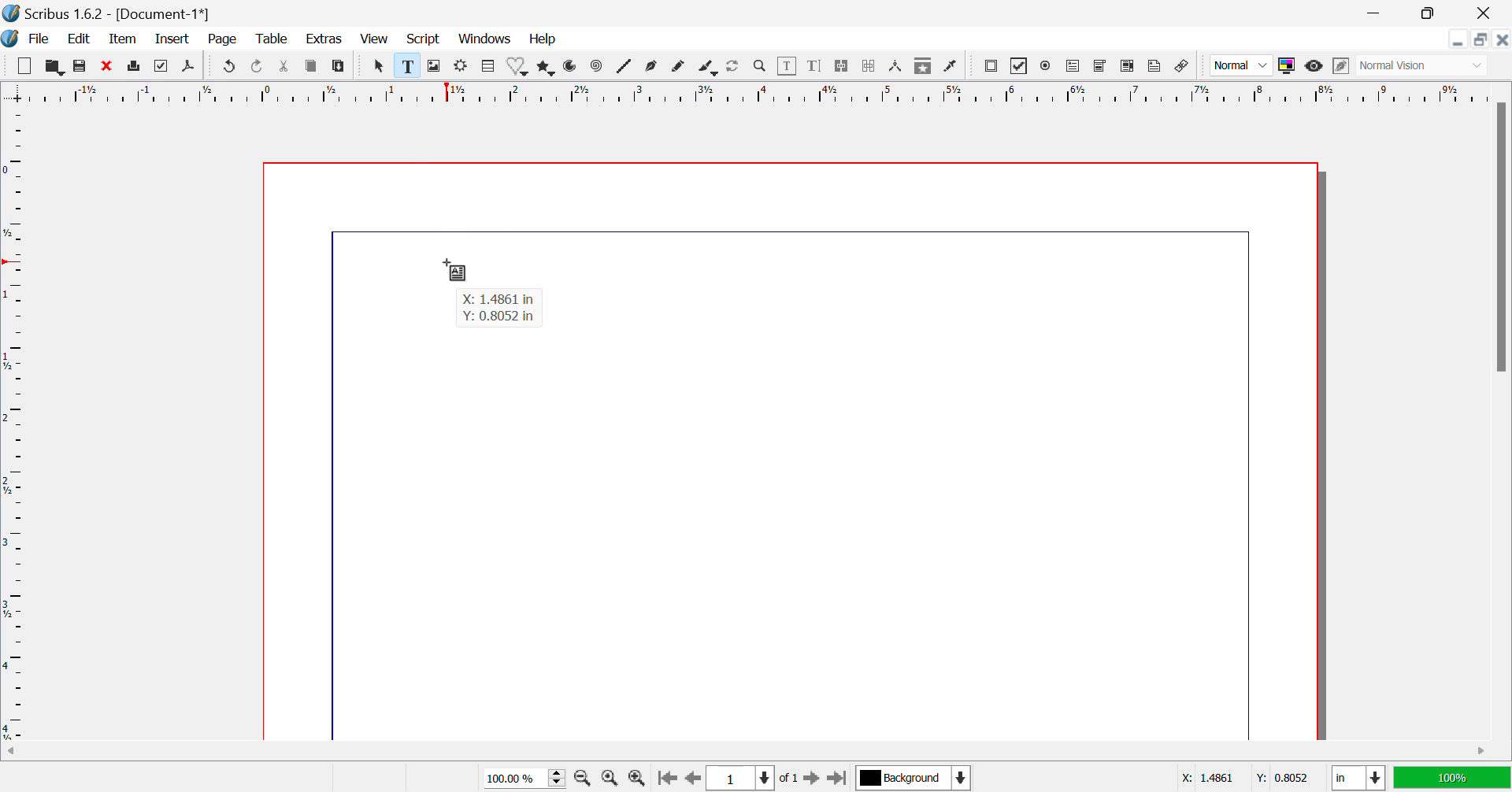 The height and width of the screenshot is (792, 1512). I want to click on Edit Text with Story Editor, so click(816, 68).